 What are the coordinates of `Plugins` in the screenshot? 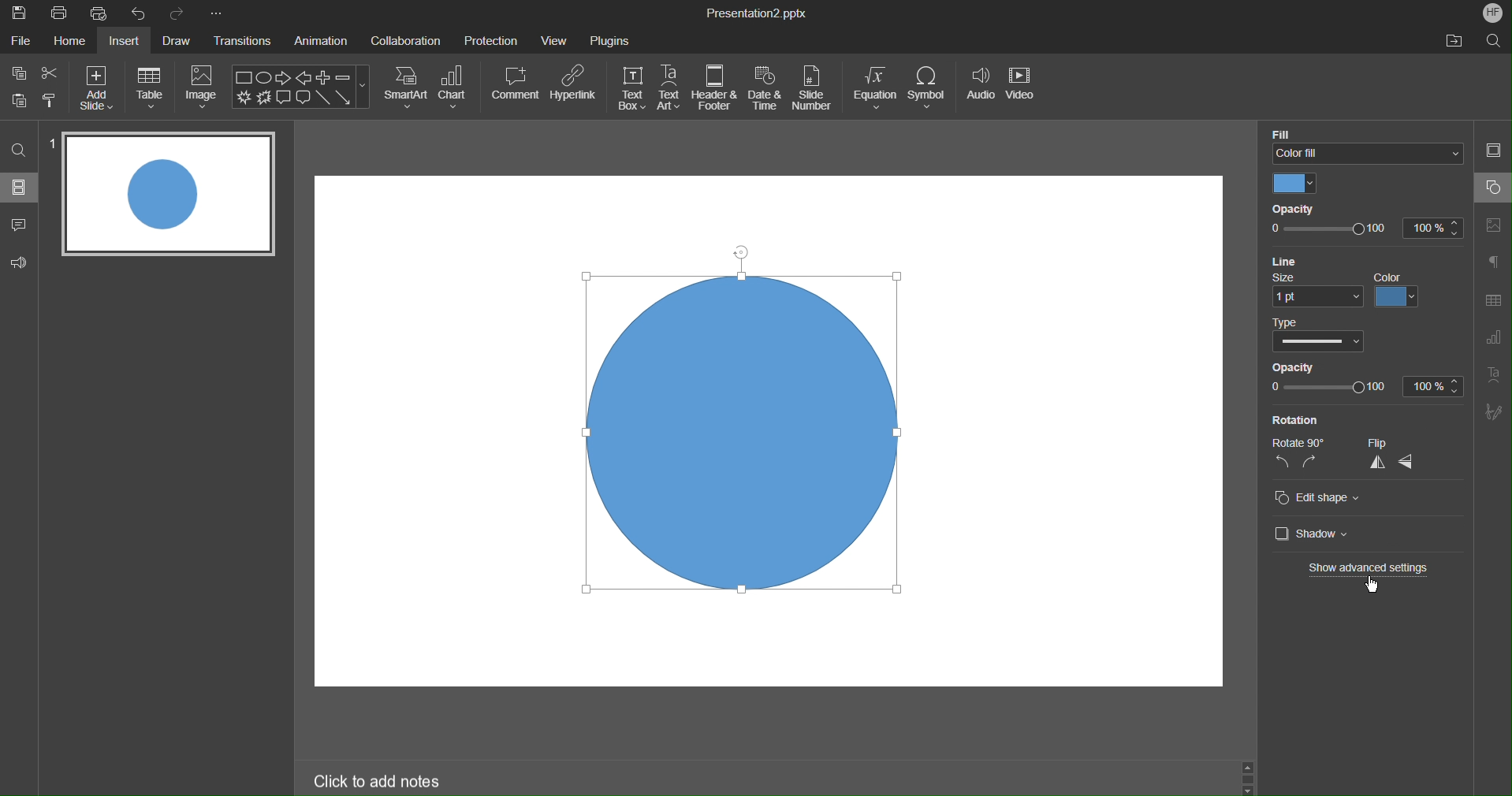 It's located at (610, 38).